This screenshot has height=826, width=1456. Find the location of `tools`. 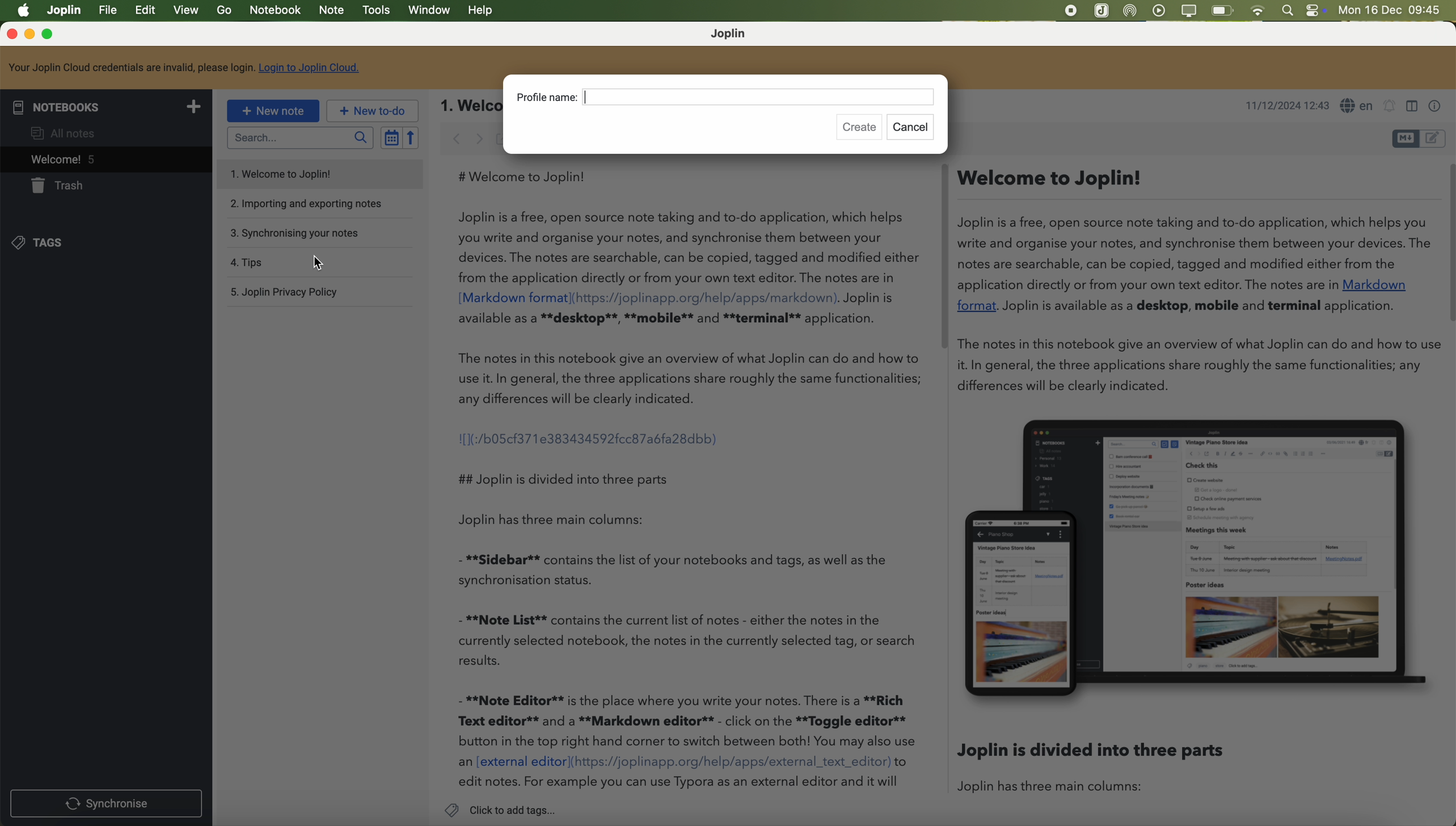

tools is located at coordinates (375, 11).